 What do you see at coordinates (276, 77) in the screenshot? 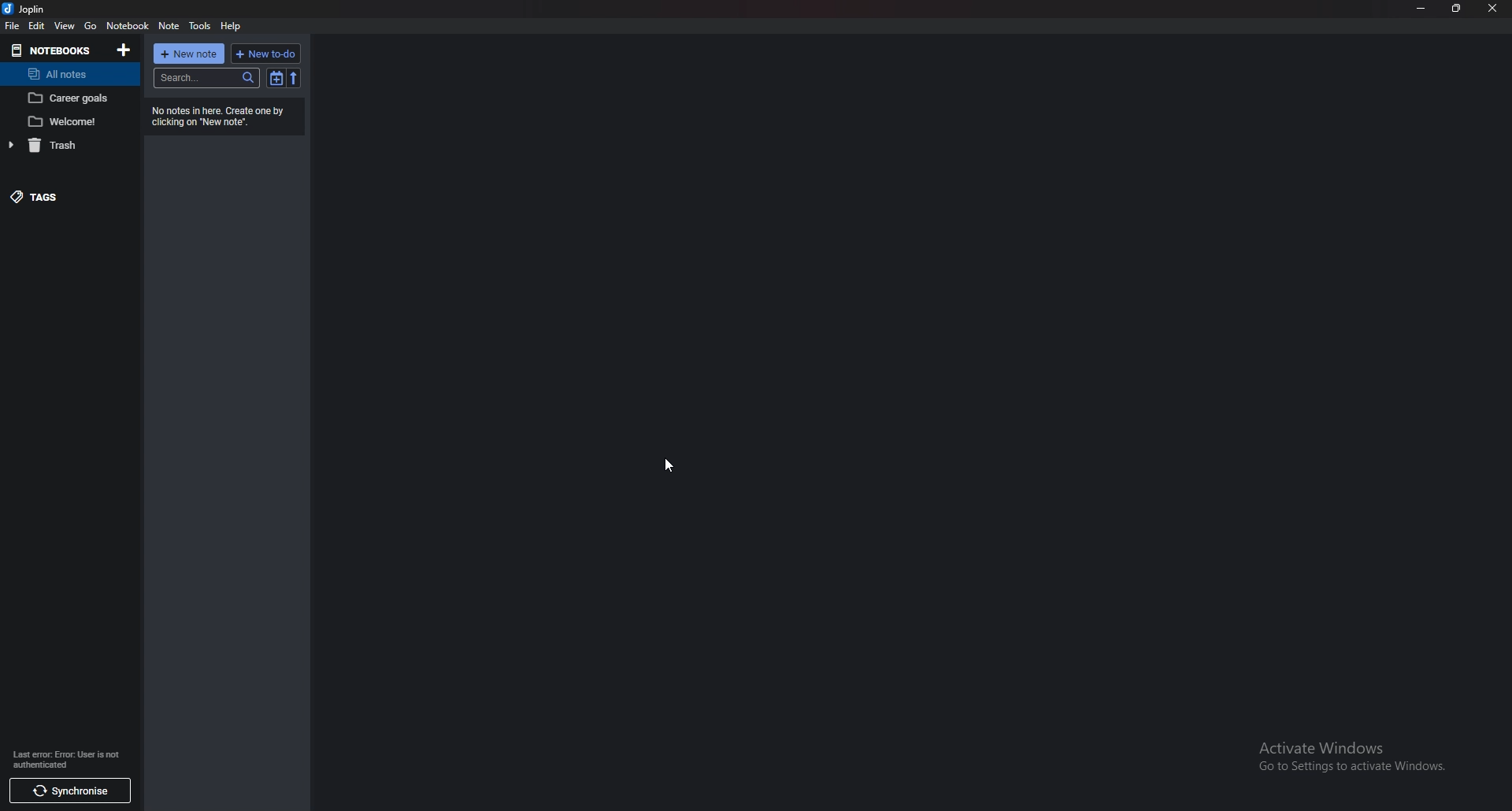
I see `toggle sort` at bounding box center [276, 77].